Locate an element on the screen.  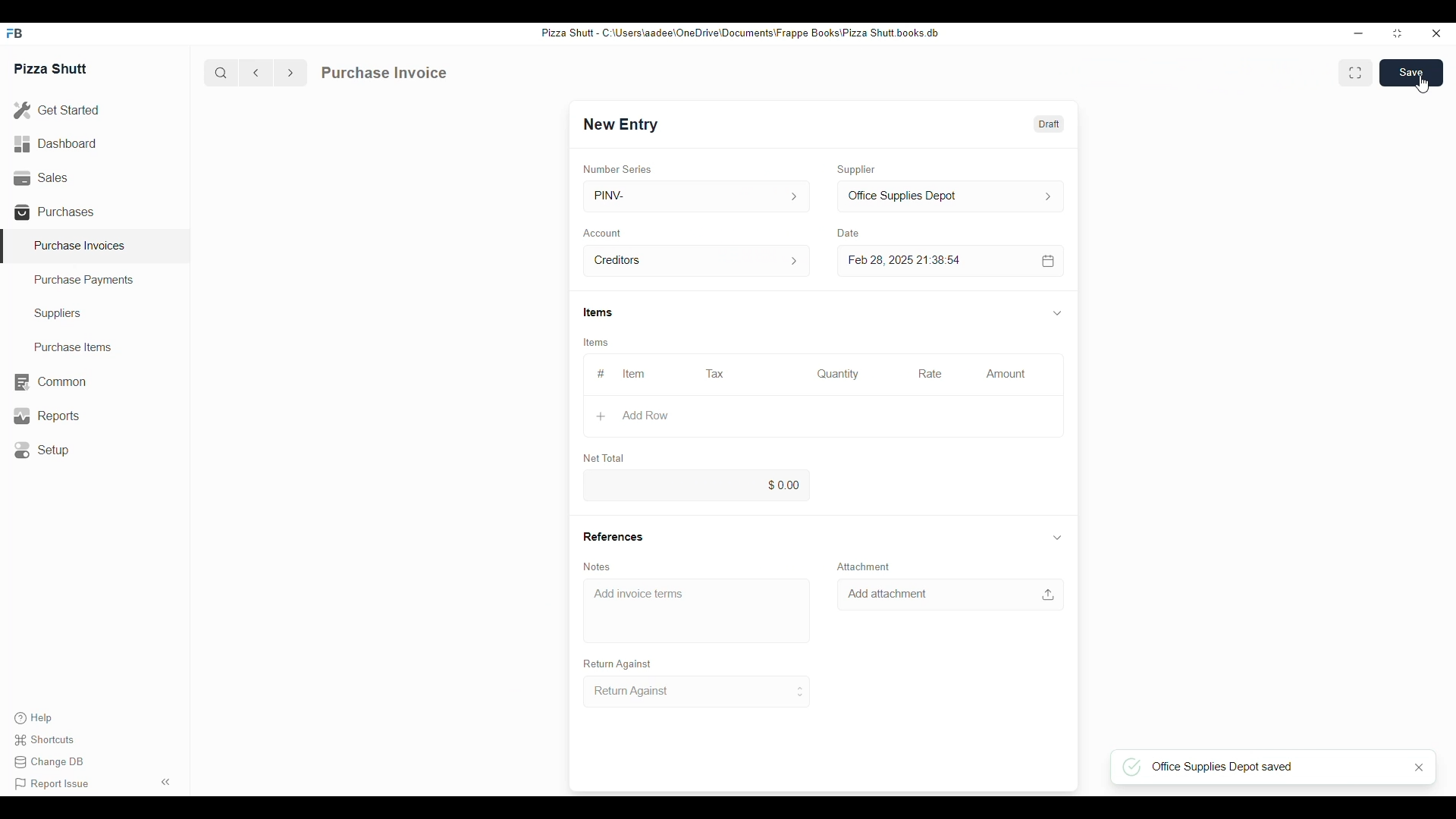
Item is located at coordinates (635, 375).